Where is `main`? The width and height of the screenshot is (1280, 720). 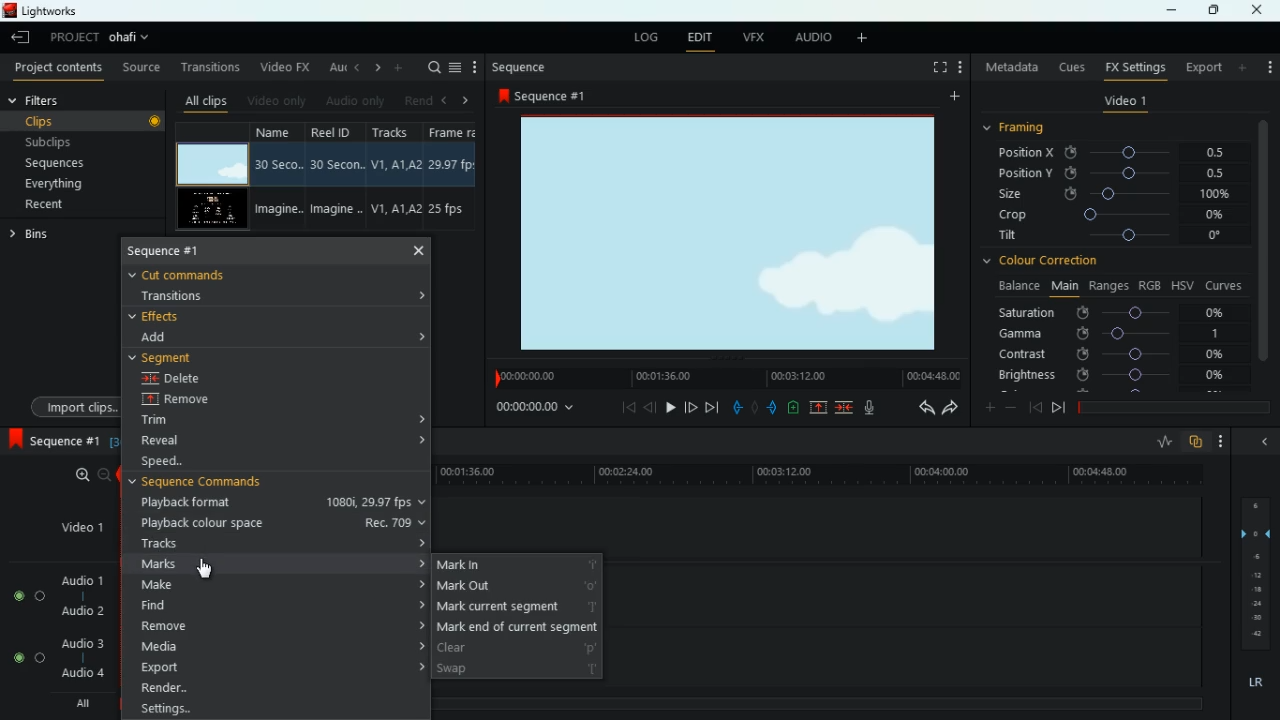 main is located at coordinates (1064, 286).